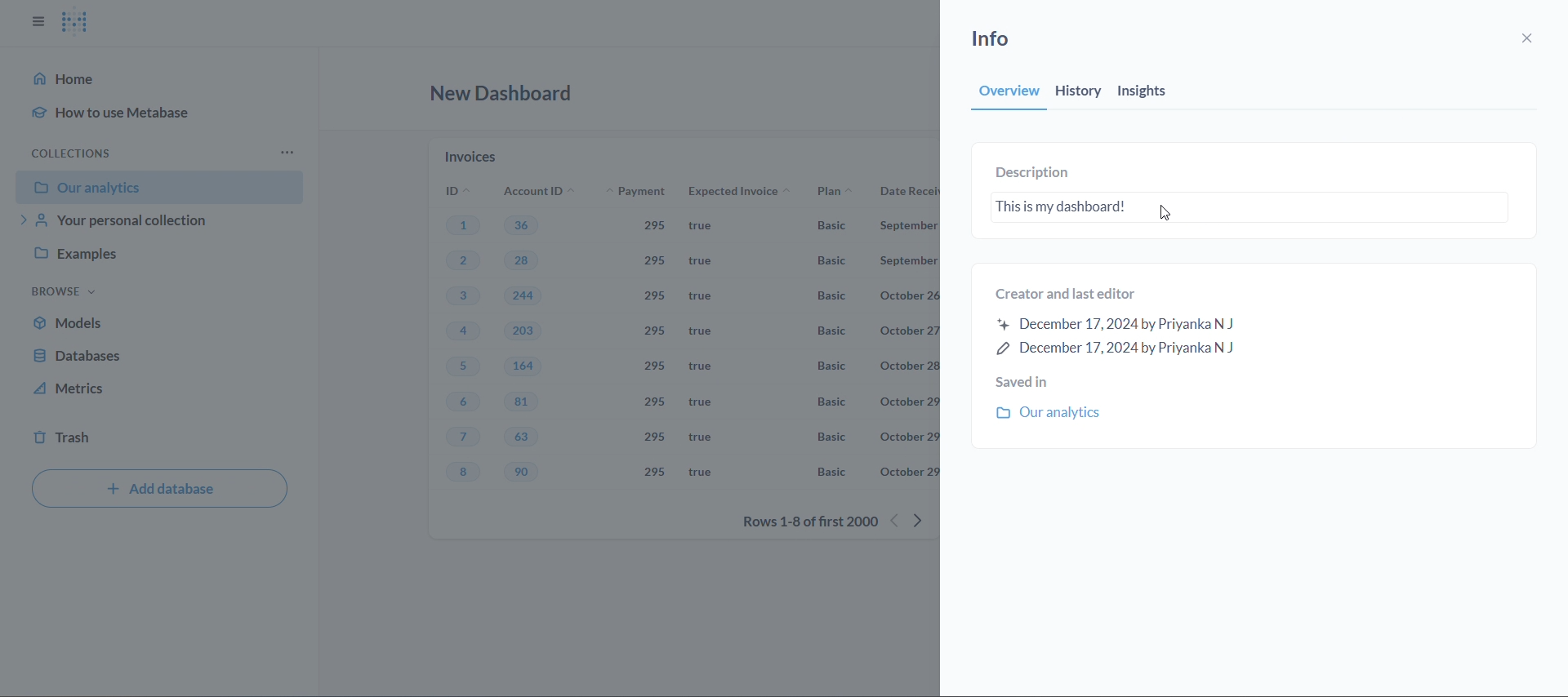  What do you see at coordinates (64, 291) in the screenshot?
I see `browse` at bounding box center [64, 291].